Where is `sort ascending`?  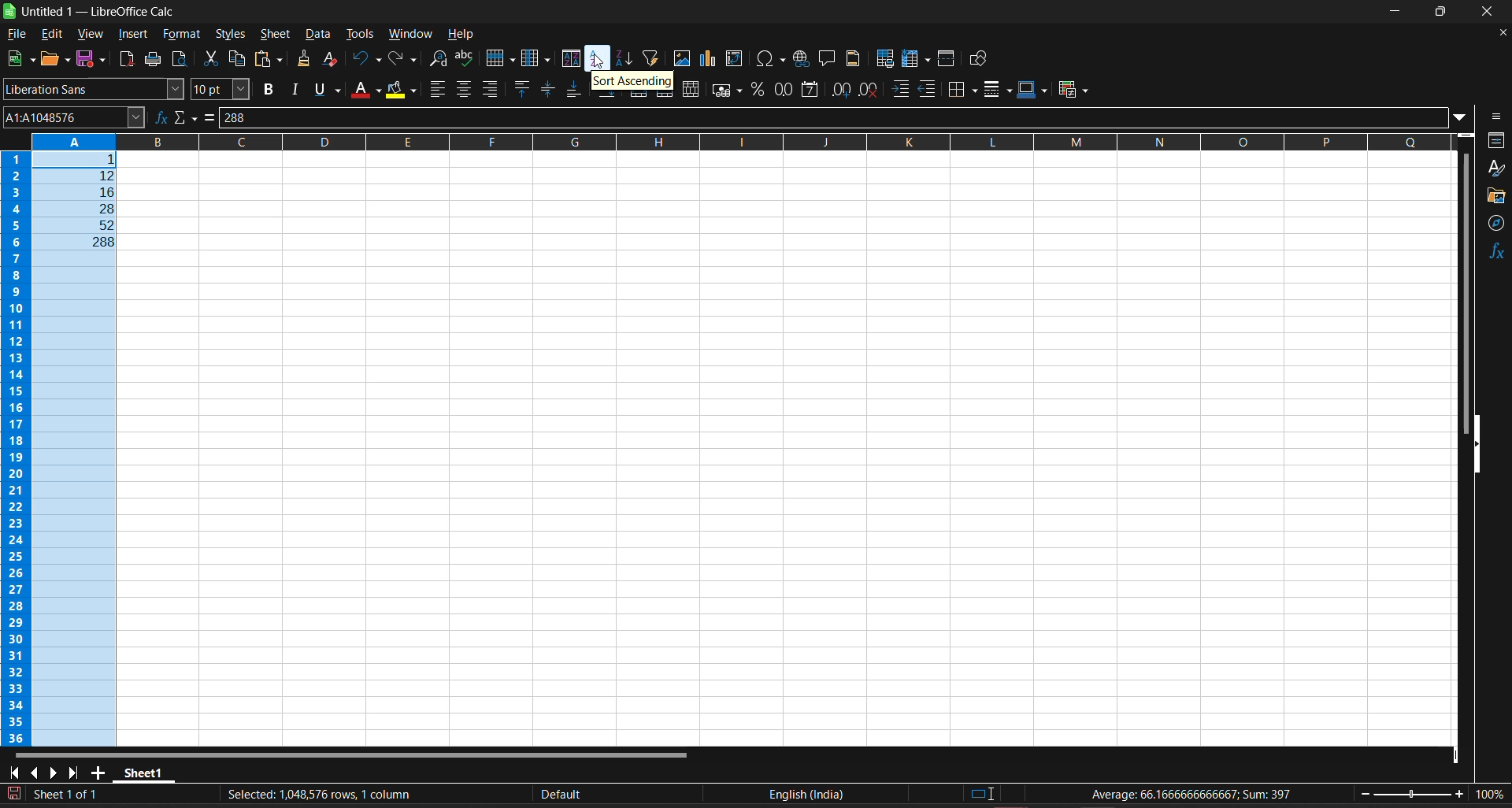 sort ascending is located at coordinates (632, 82).